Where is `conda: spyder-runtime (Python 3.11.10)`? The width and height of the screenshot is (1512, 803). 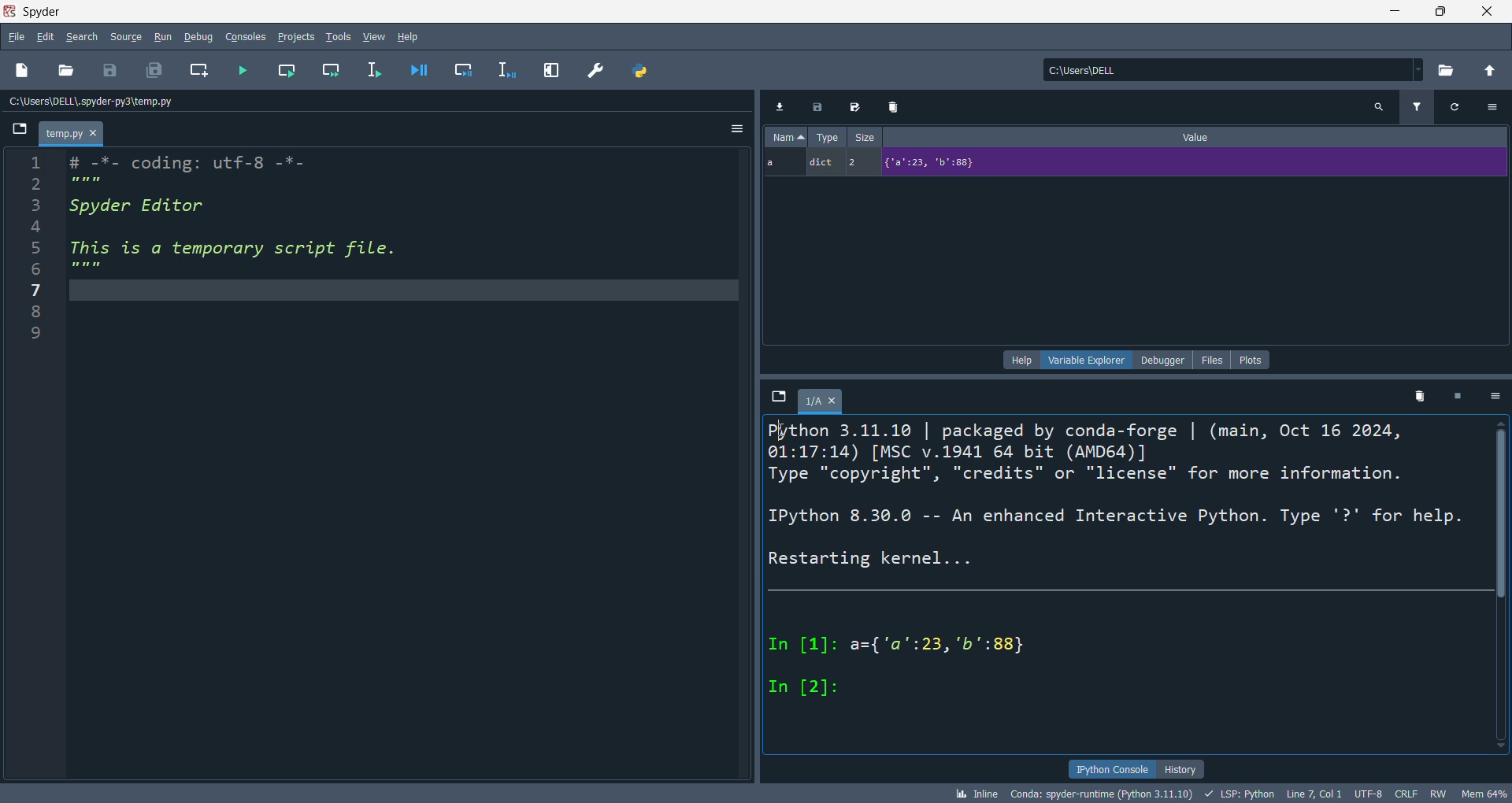 conda: spyder-runtime (Python 3.11.10) is located at coordinates (1098, 795).